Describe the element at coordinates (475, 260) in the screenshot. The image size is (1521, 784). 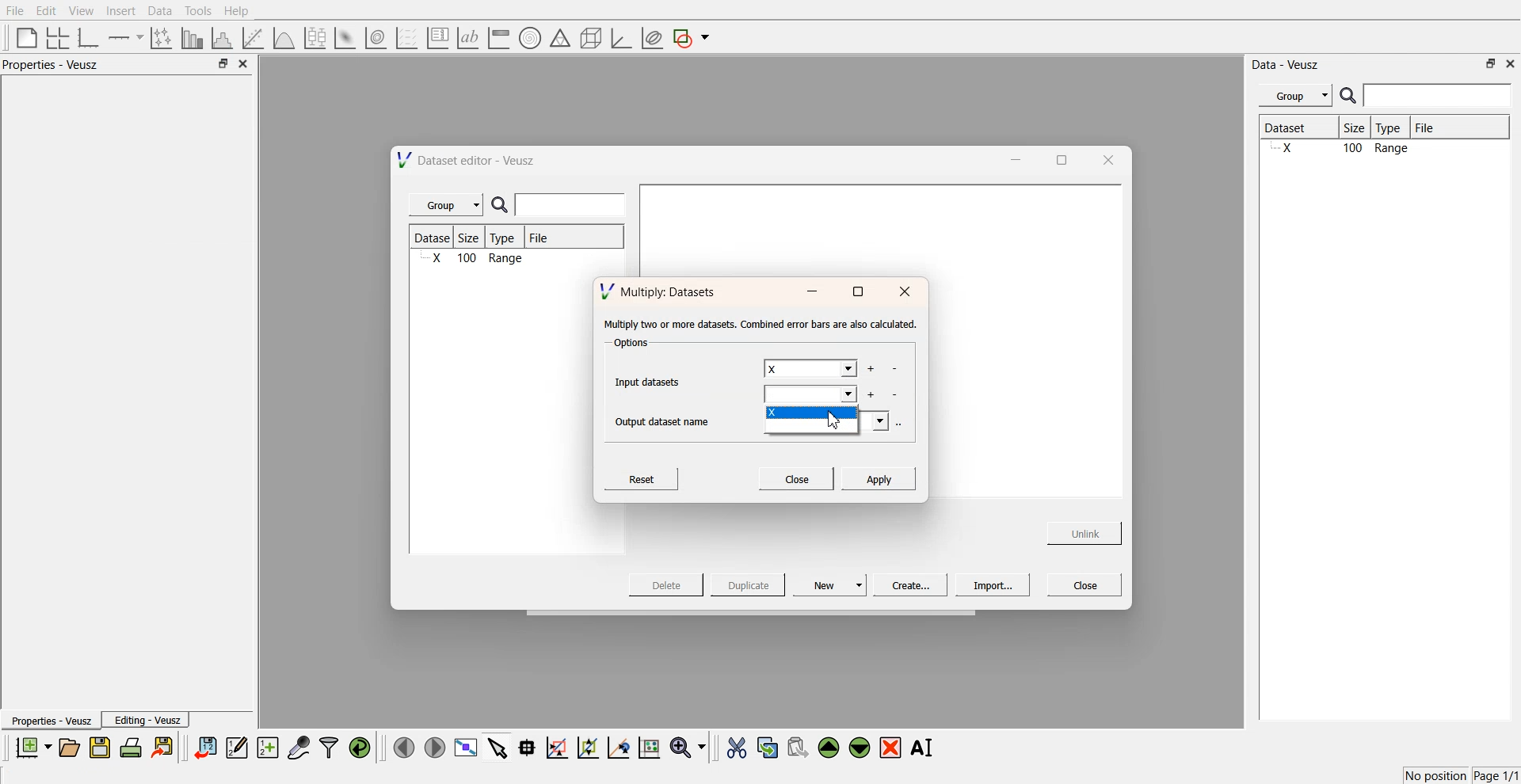
I see `X 100 Range` at that location.